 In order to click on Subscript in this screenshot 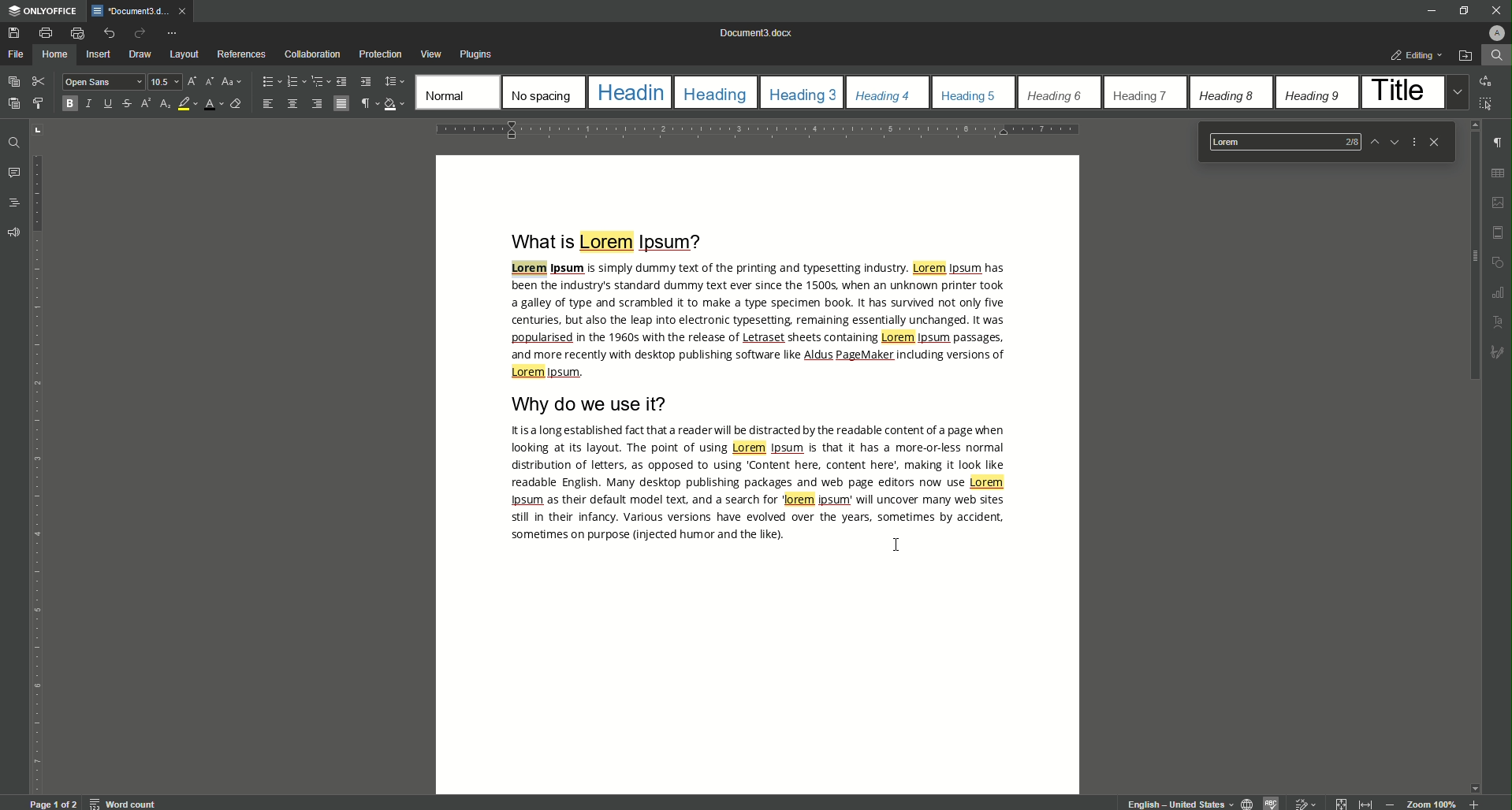, I will do `click(166, 105)`.